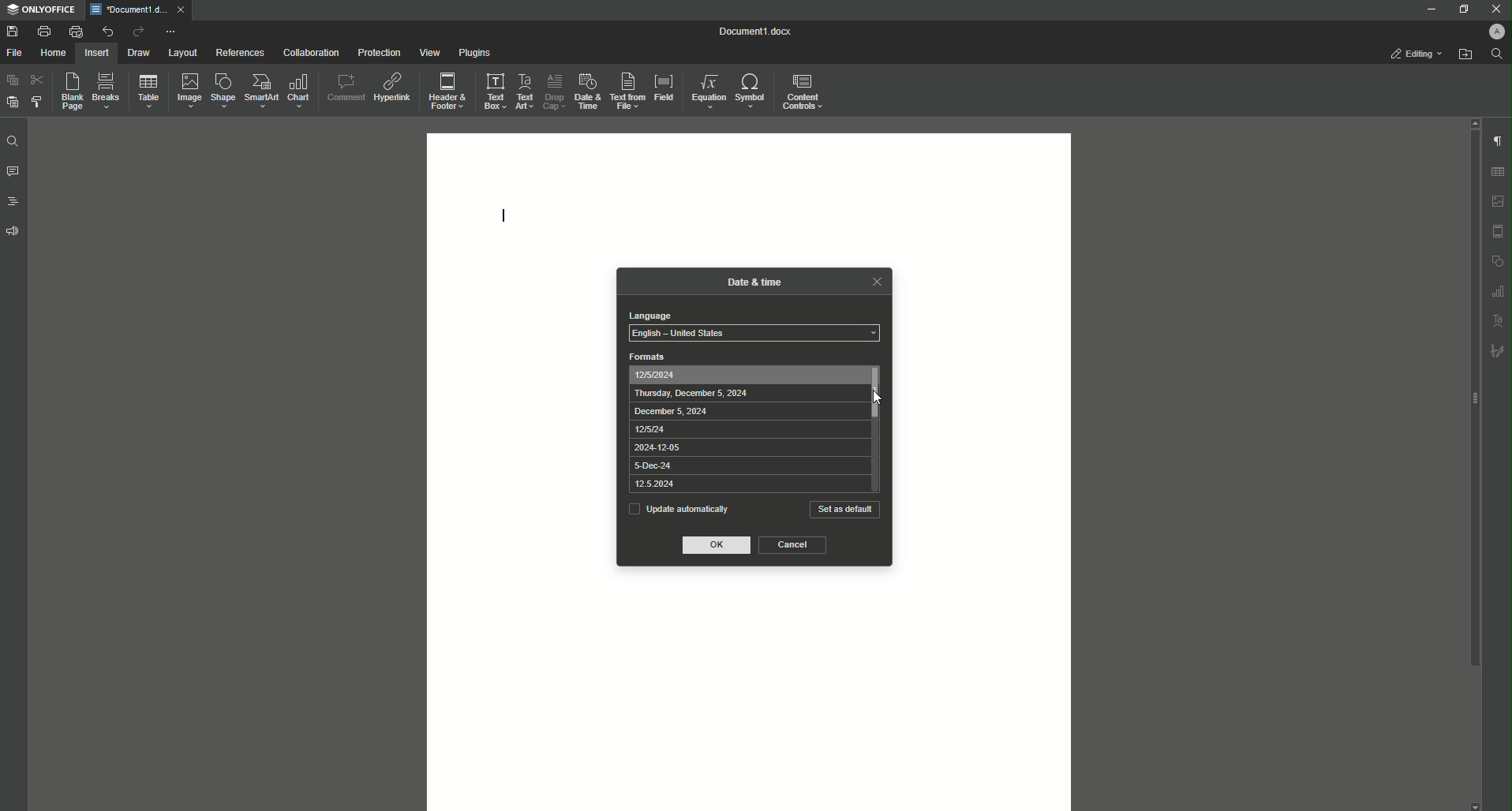  Describe the element at coordinates (876, 281) in the screenshot. I see `close` at that location.